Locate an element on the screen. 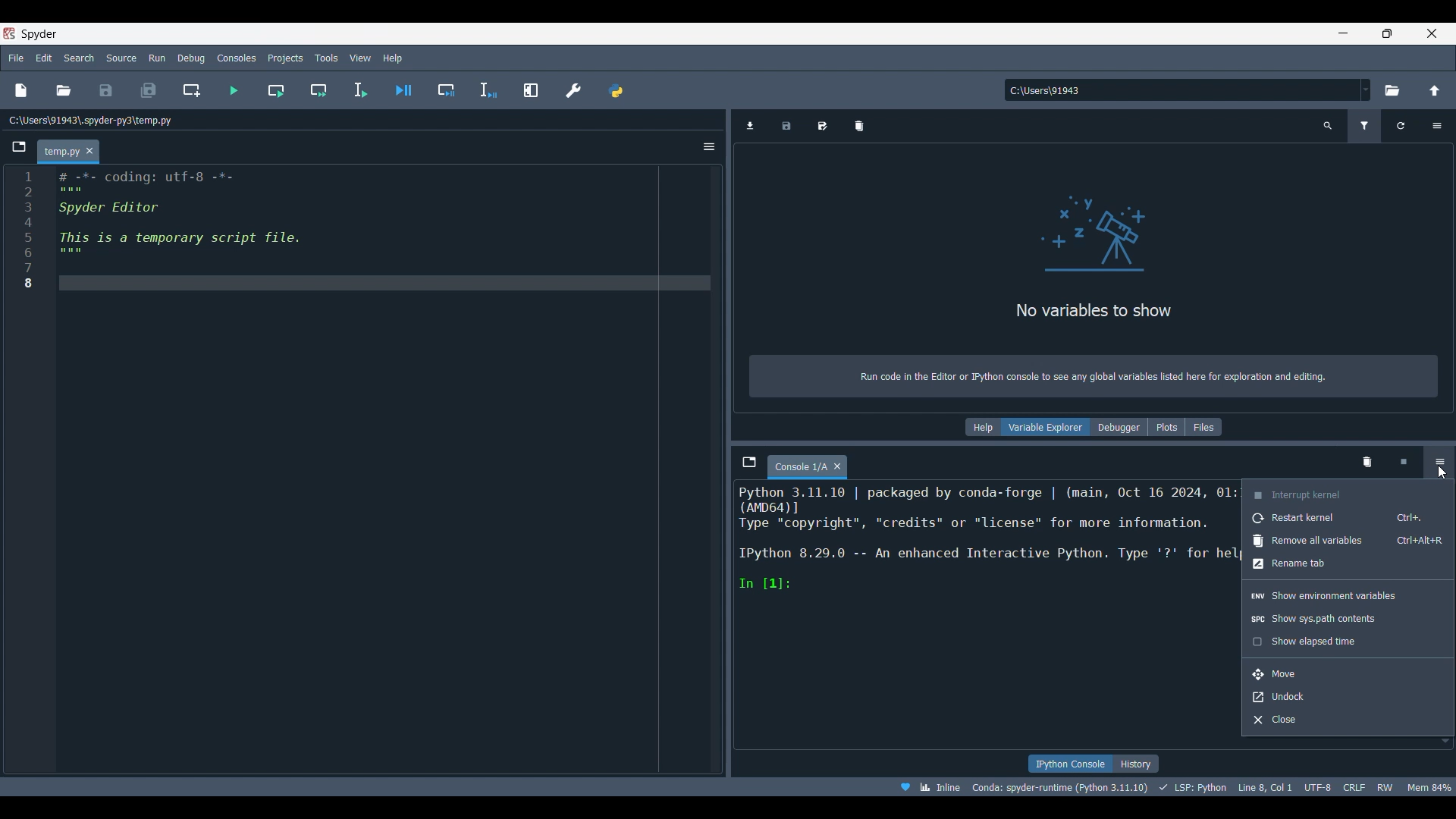  logo is located at coordinates (1090, 240).